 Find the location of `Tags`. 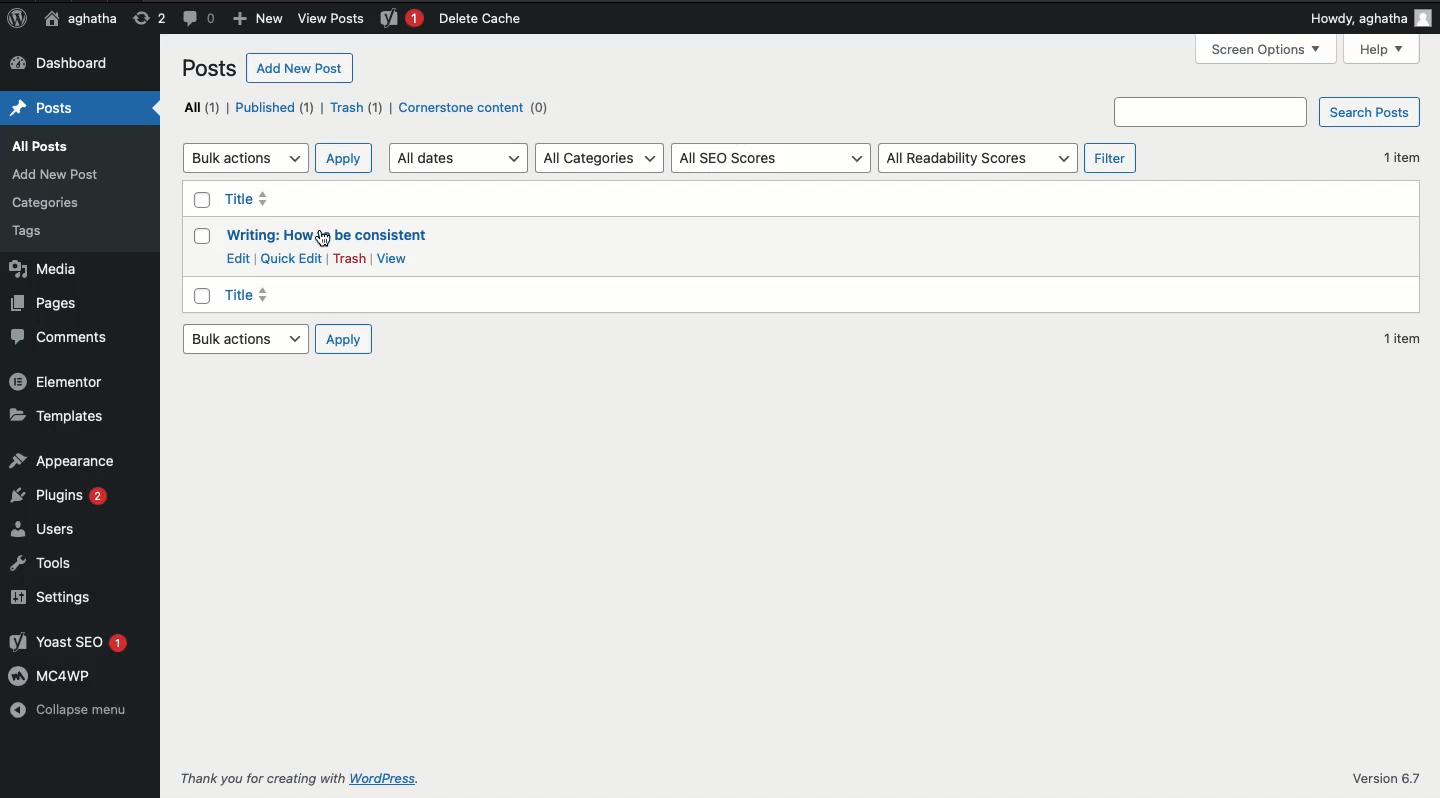

Tags is located at coordinates (31, 229).